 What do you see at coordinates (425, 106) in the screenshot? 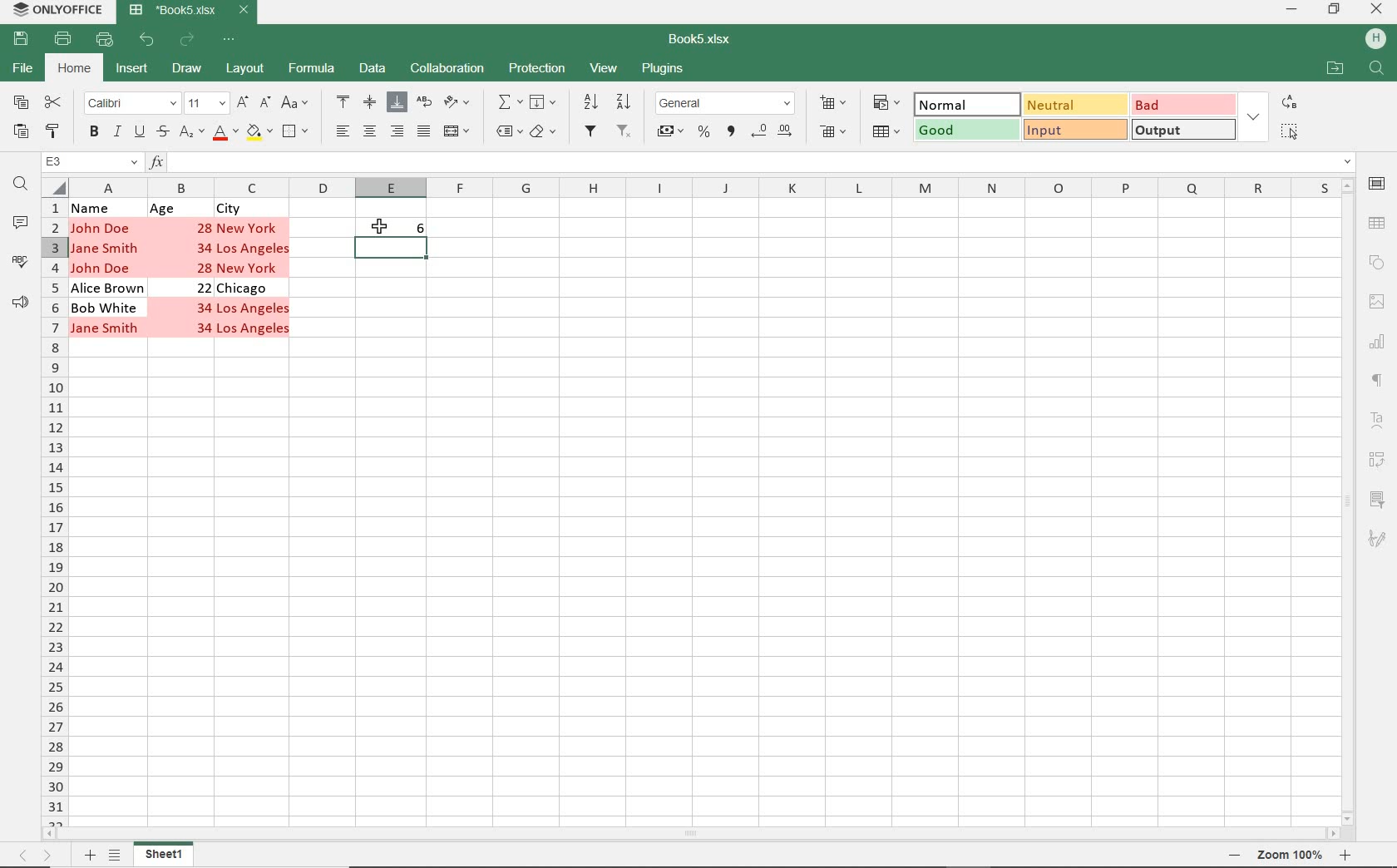
I see `WRAP TEXT` at bounding box center [425, 106].